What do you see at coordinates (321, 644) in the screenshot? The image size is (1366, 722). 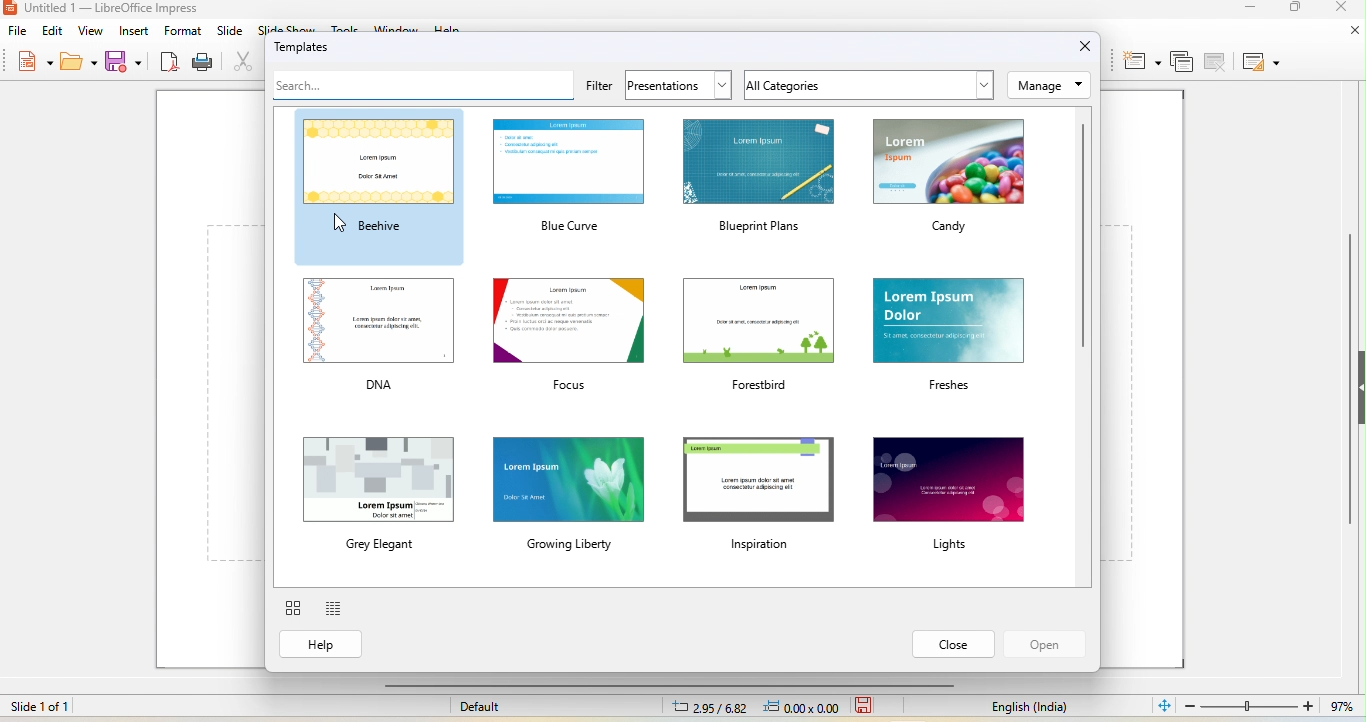 I see `help` at bounding box center [321, 644].